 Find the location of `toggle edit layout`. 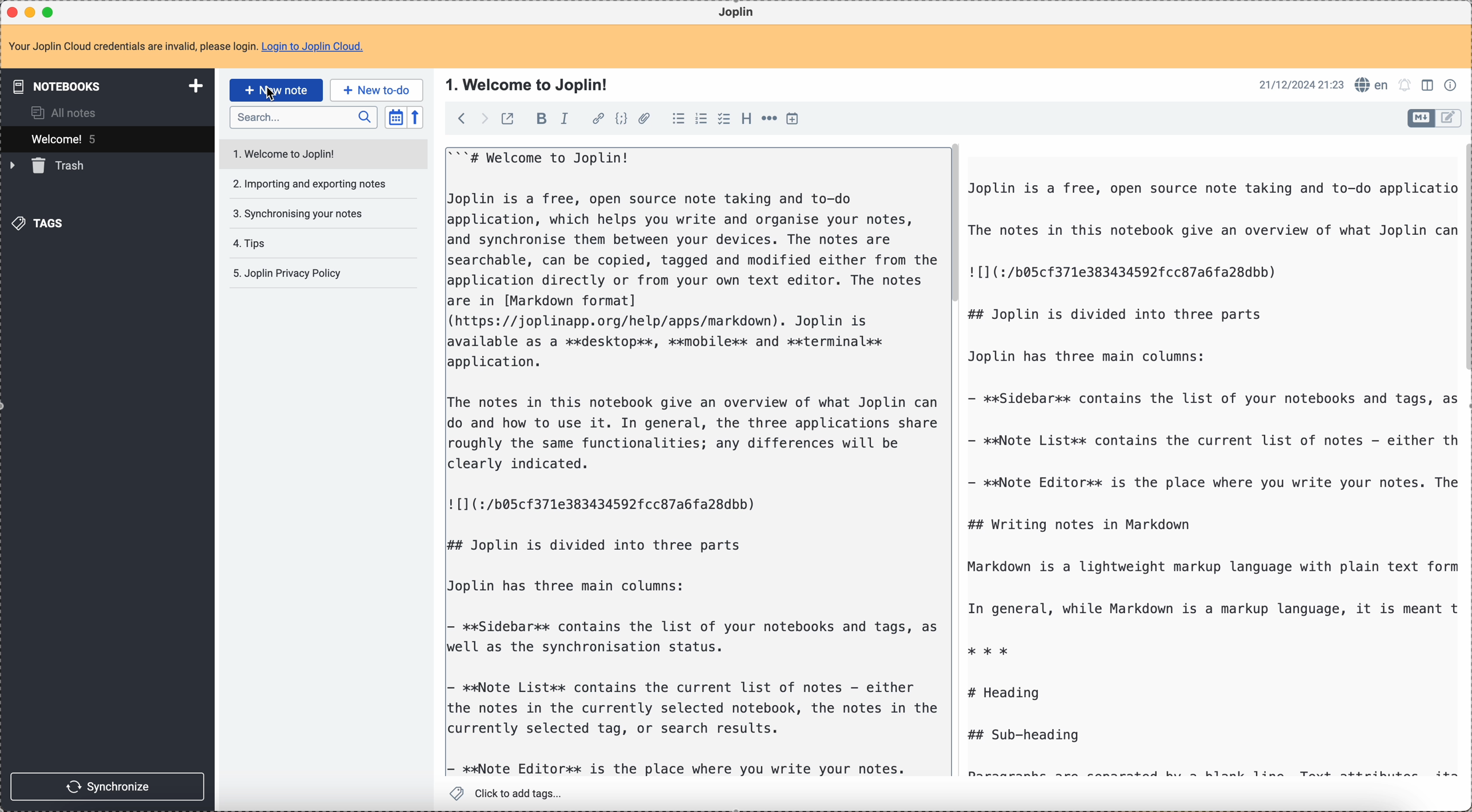

toggle edit layout is located at coordinates (1422, 118).